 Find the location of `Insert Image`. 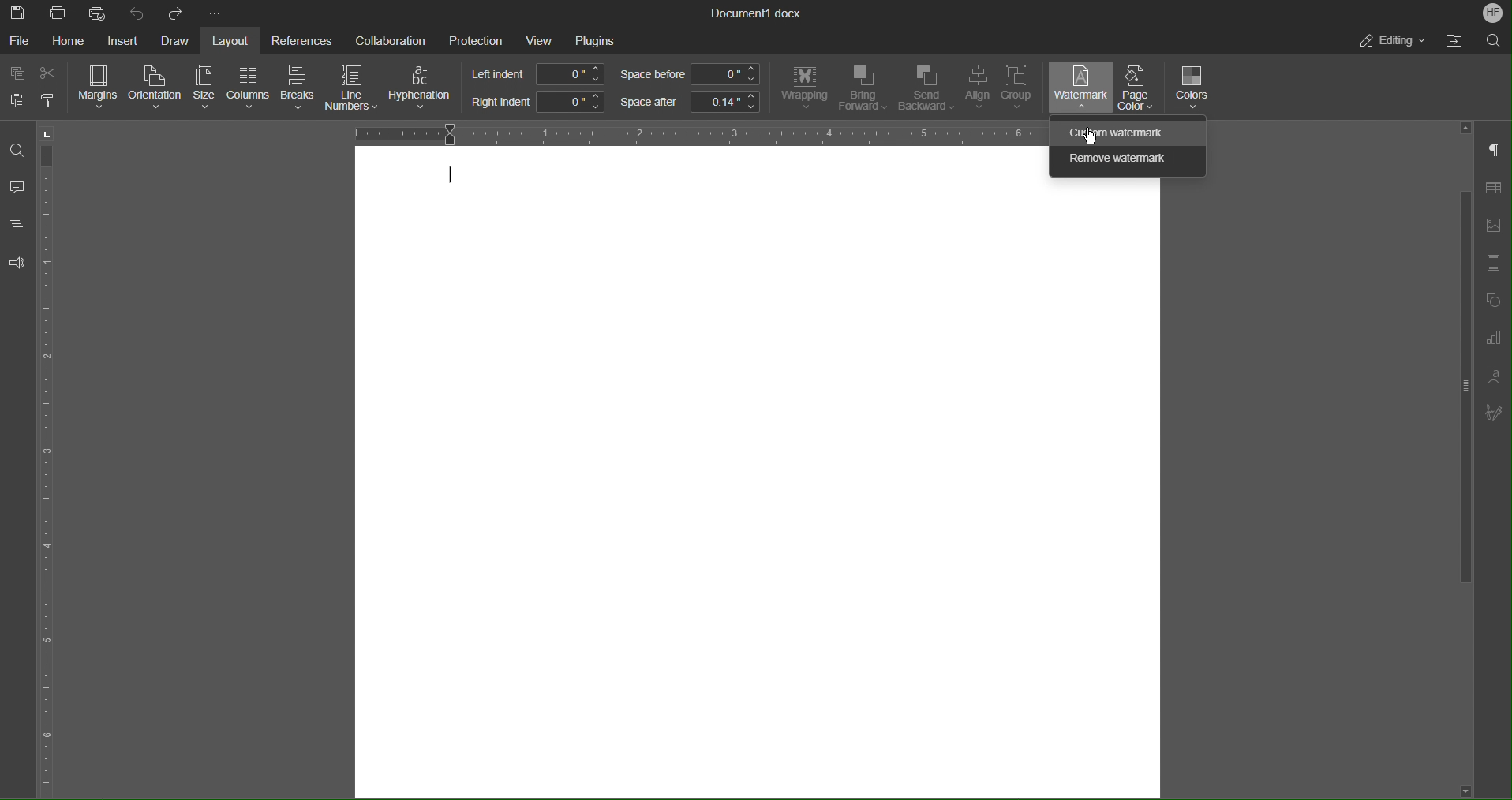

Insert Image is located at coordinates (1493, 226).